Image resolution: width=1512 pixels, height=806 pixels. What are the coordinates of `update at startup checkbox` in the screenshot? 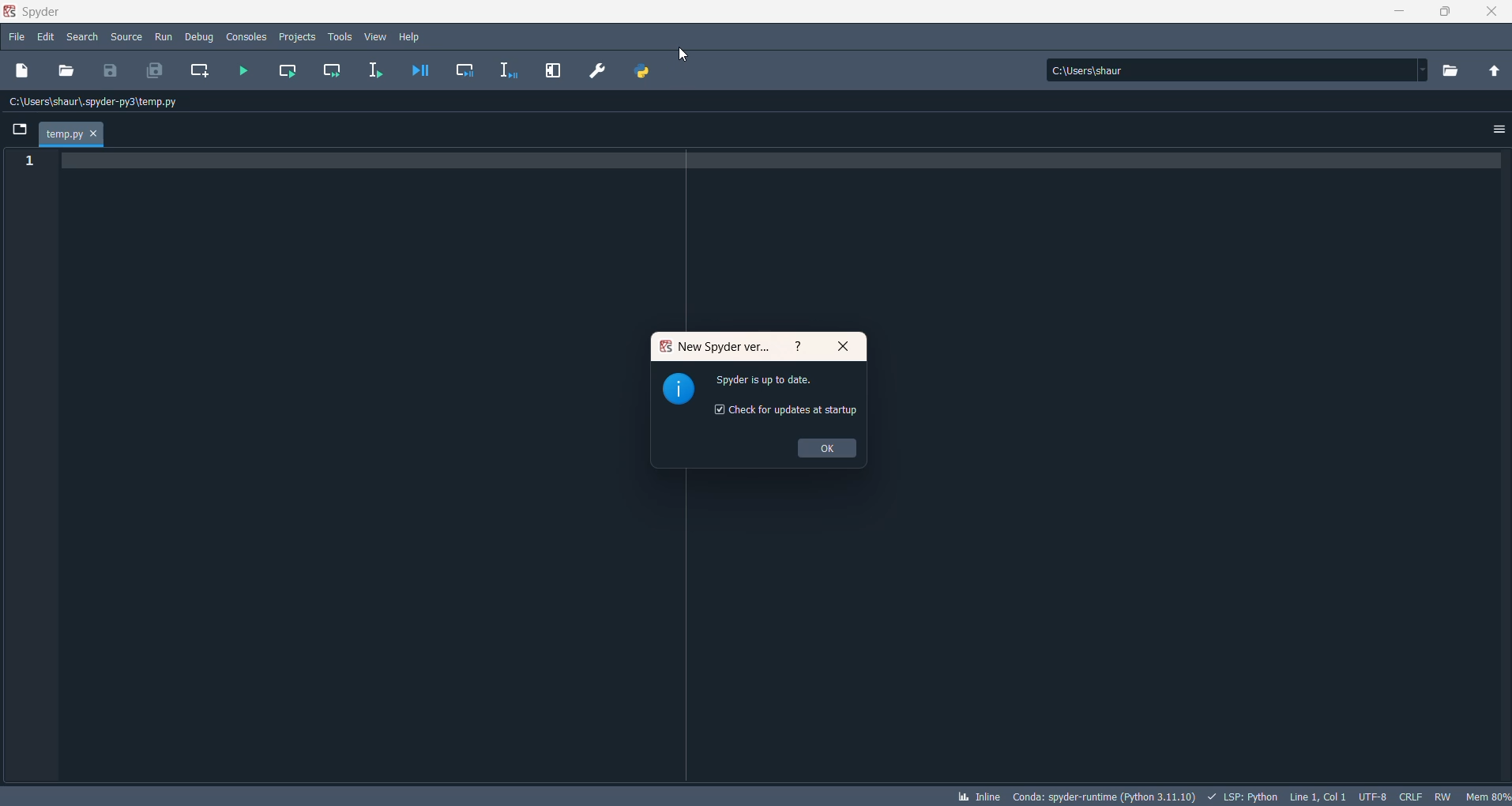 It's located at (788, 415).